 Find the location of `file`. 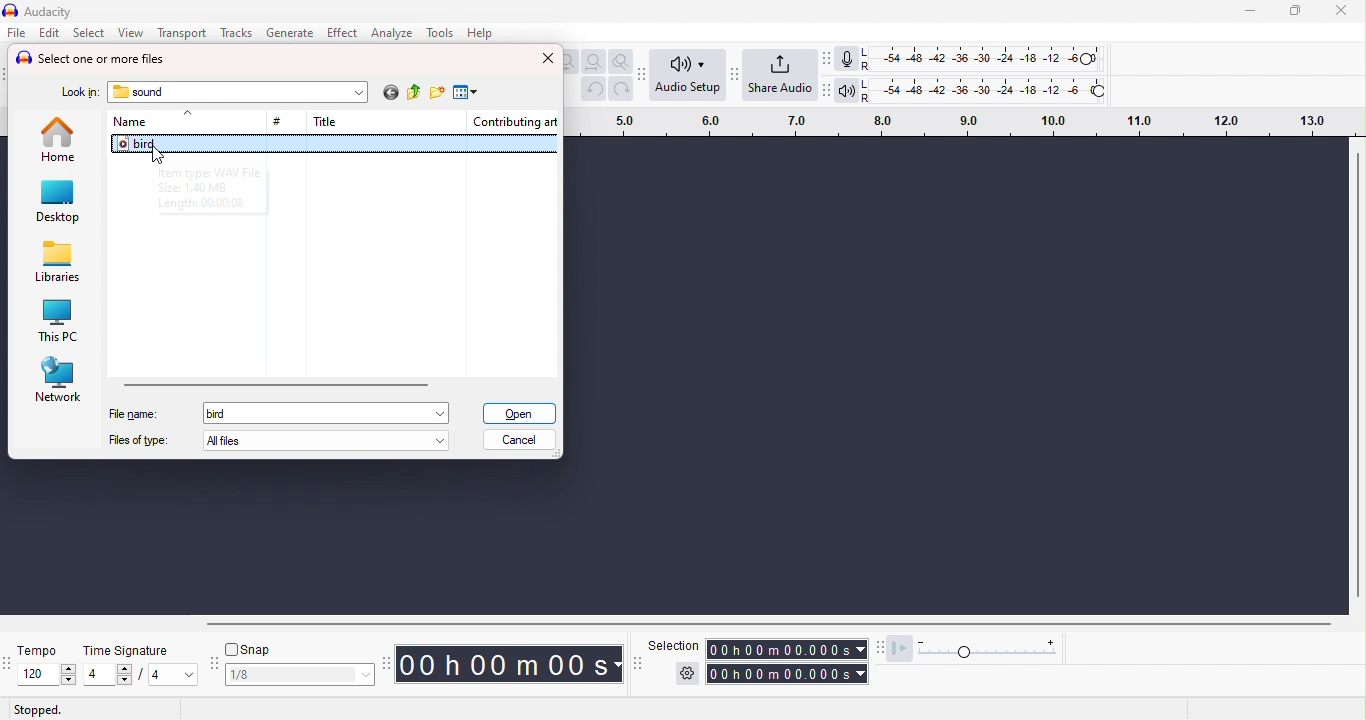

file is located at coordinates (17, 32).